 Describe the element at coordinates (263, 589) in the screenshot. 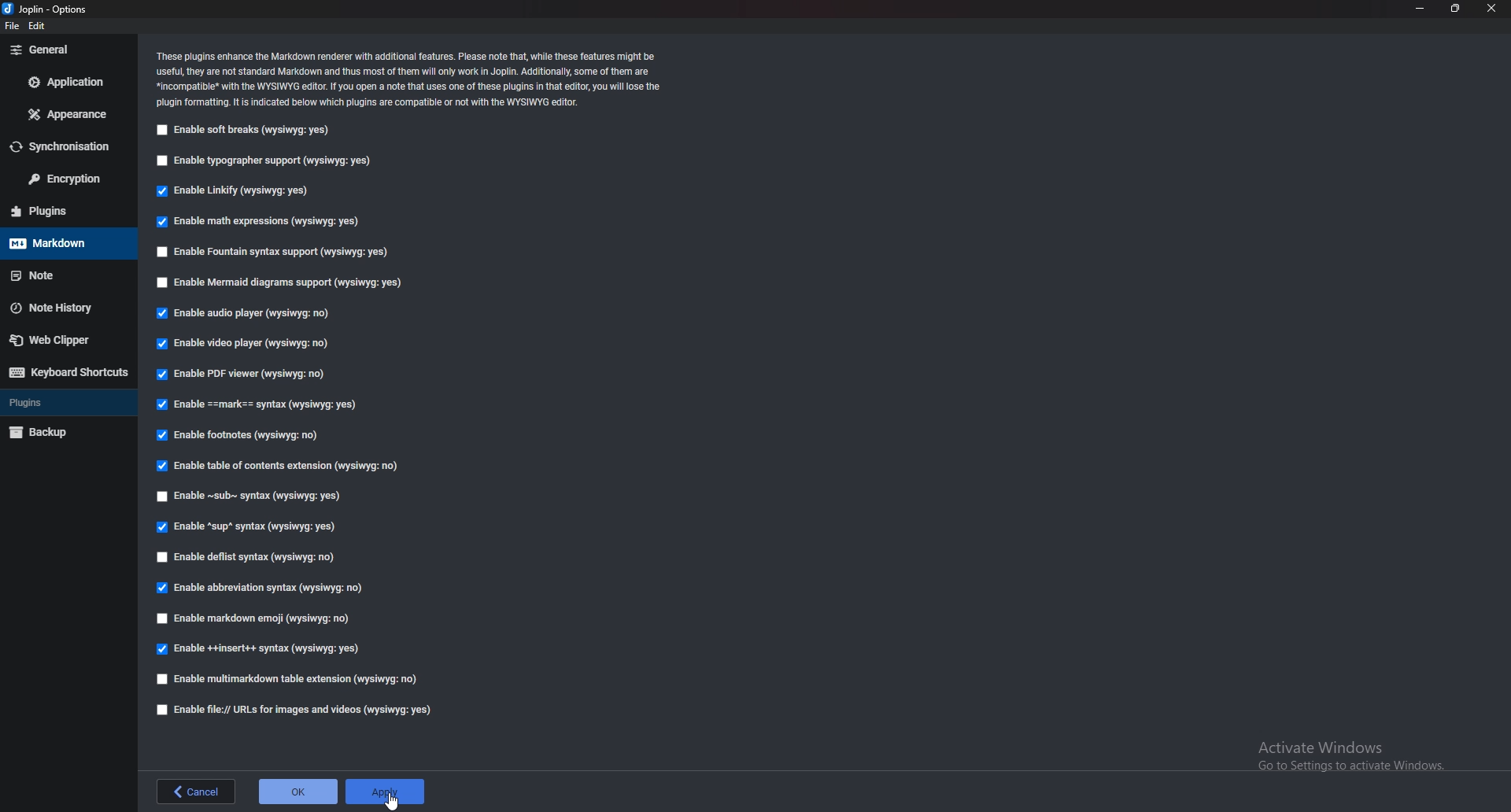

I see `enable Abbreviation Syntax` at that location.